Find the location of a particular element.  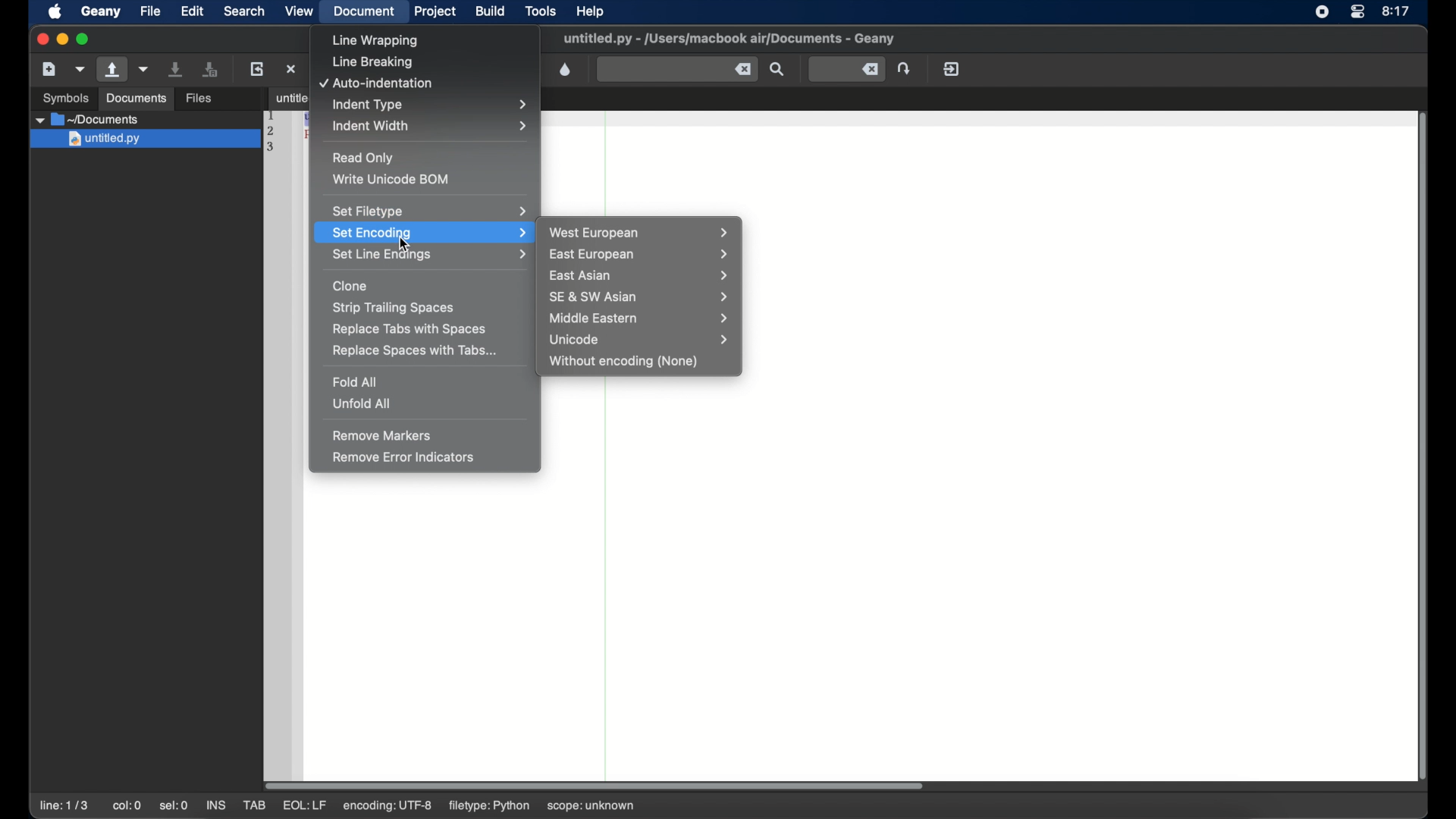

set filetype menu is located at coordinates (429, 211).